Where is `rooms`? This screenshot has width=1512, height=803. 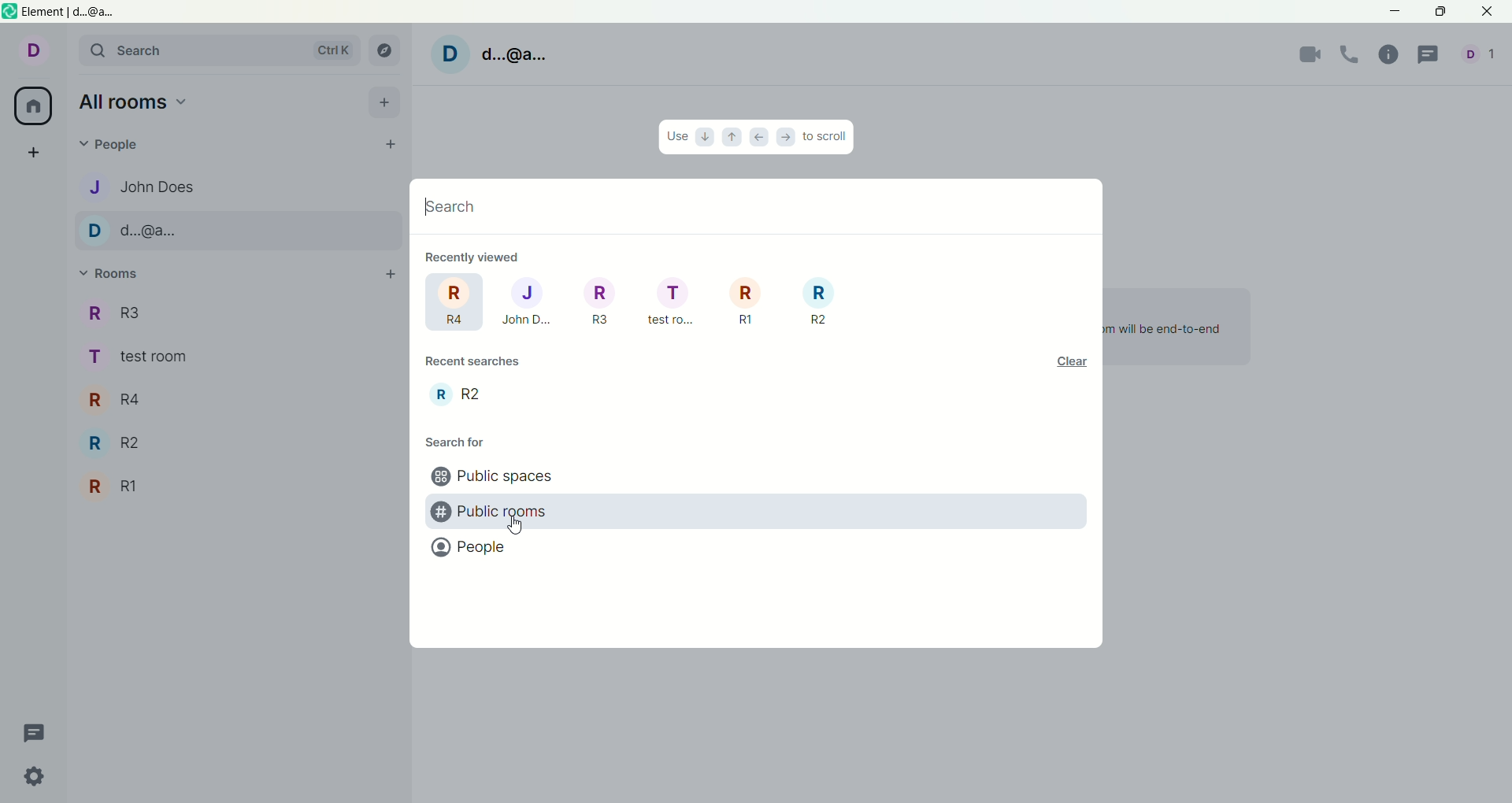
rooms is located at coordinates (109, 276).